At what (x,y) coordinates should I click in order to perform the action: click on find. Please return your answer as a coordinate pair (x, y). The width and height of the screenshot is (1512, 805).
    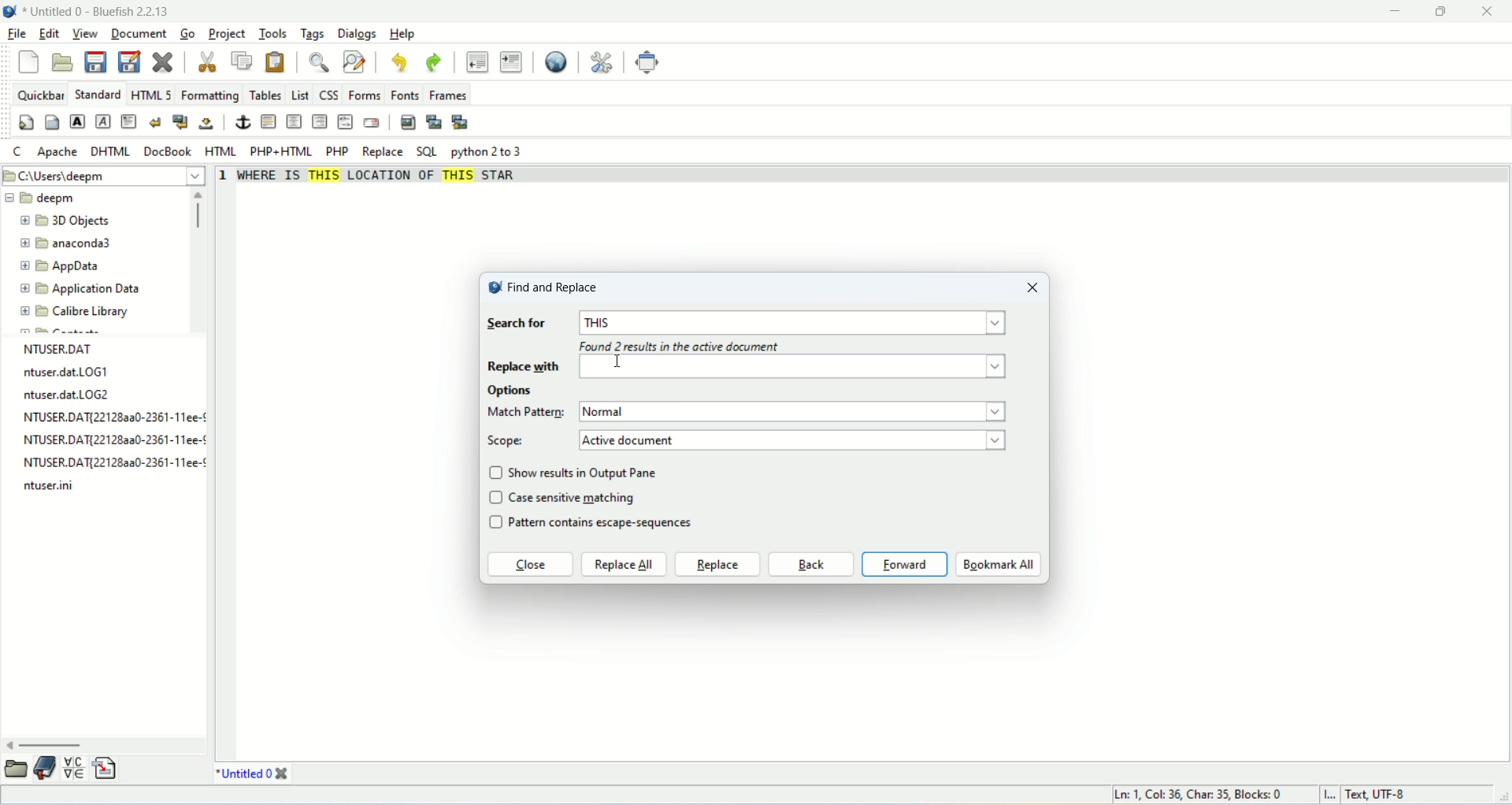
    Looking at the image, I should click on (317, 63).